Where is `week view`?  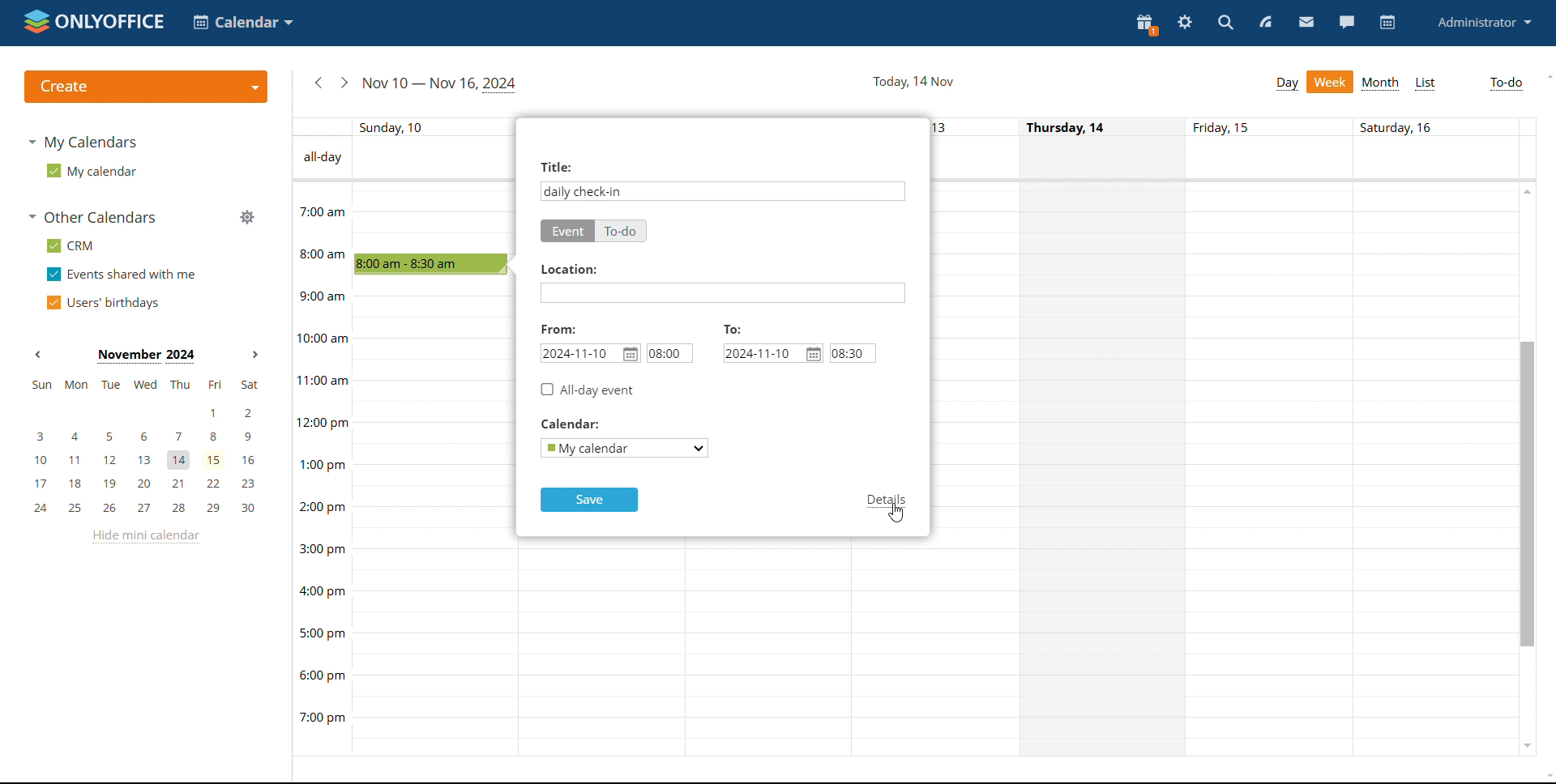
week view is located at coordinates (1332, 82).